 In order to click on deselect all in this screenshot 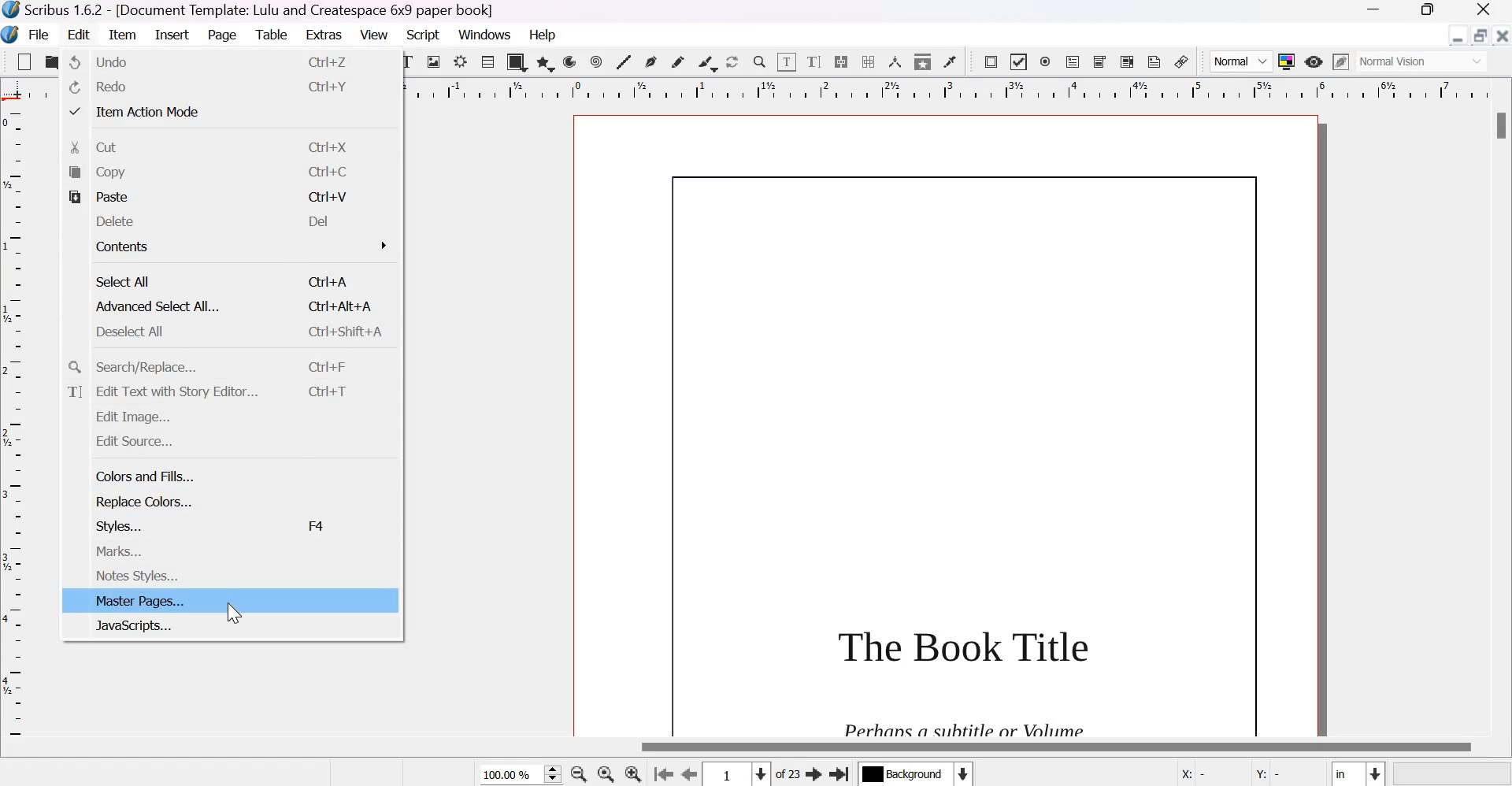, I will do `click(239, 332)`.